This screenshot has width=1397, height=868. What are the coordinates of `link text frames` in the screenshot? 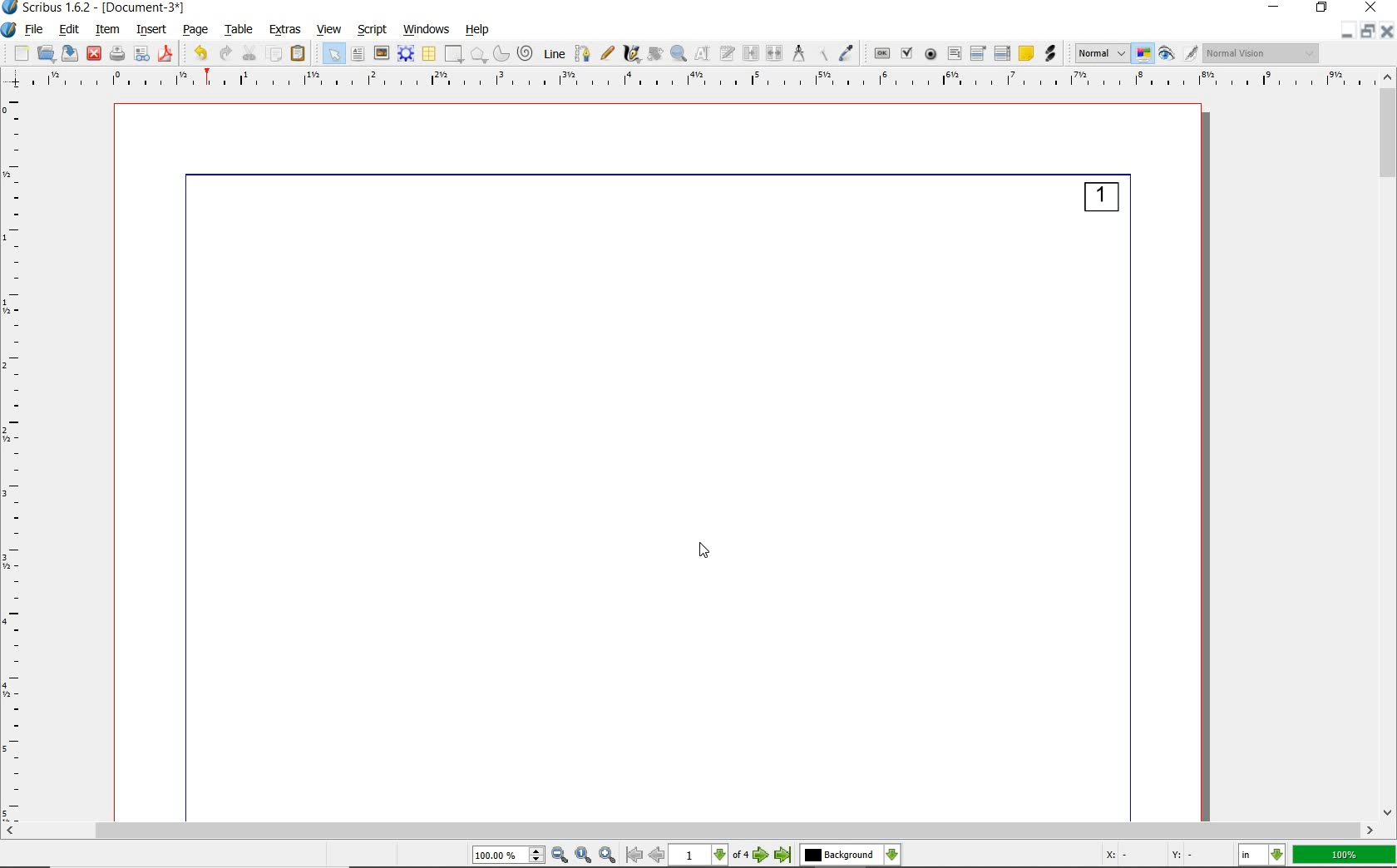 It's located at (753, 53).